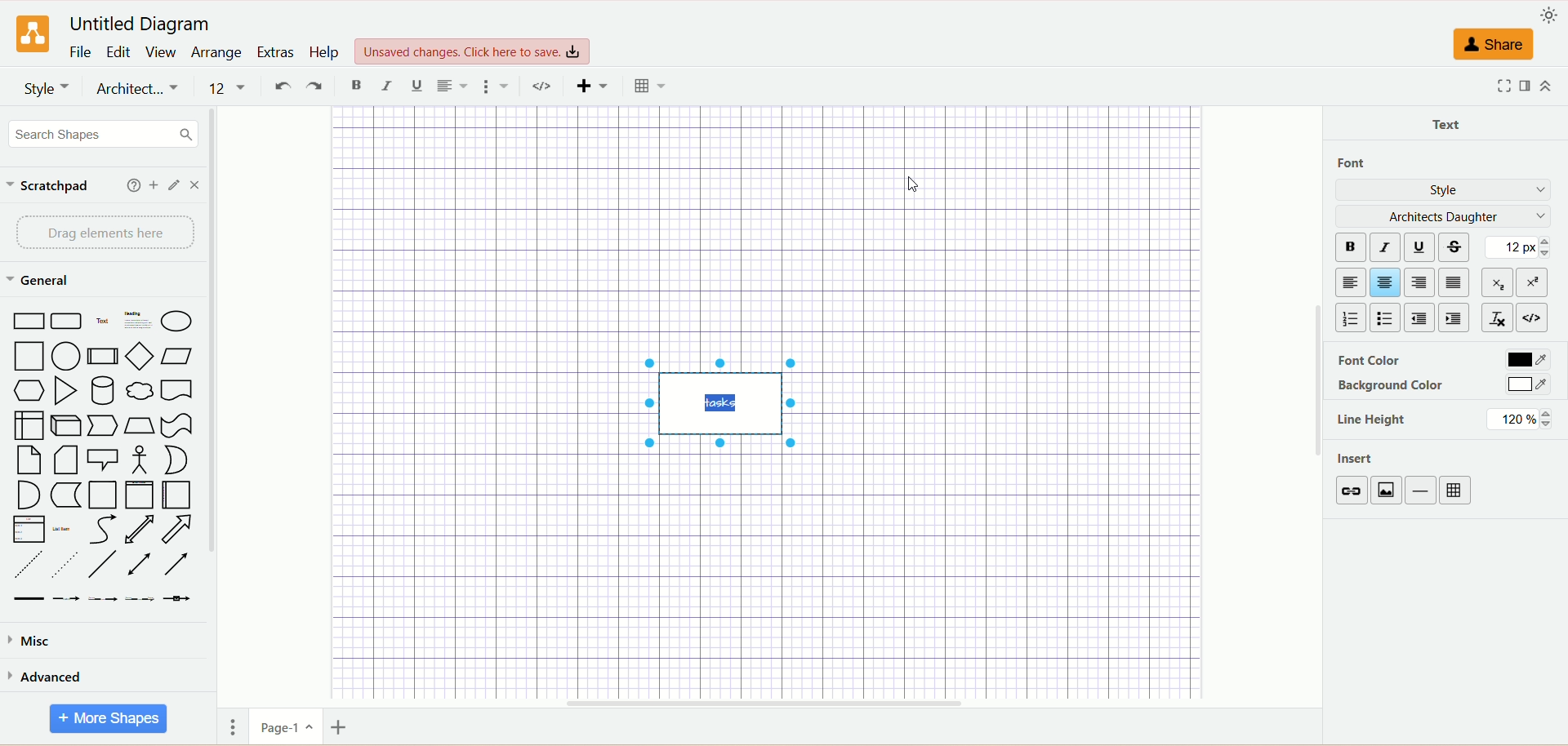  I want to click on architects daughter, so click(1442, 216).